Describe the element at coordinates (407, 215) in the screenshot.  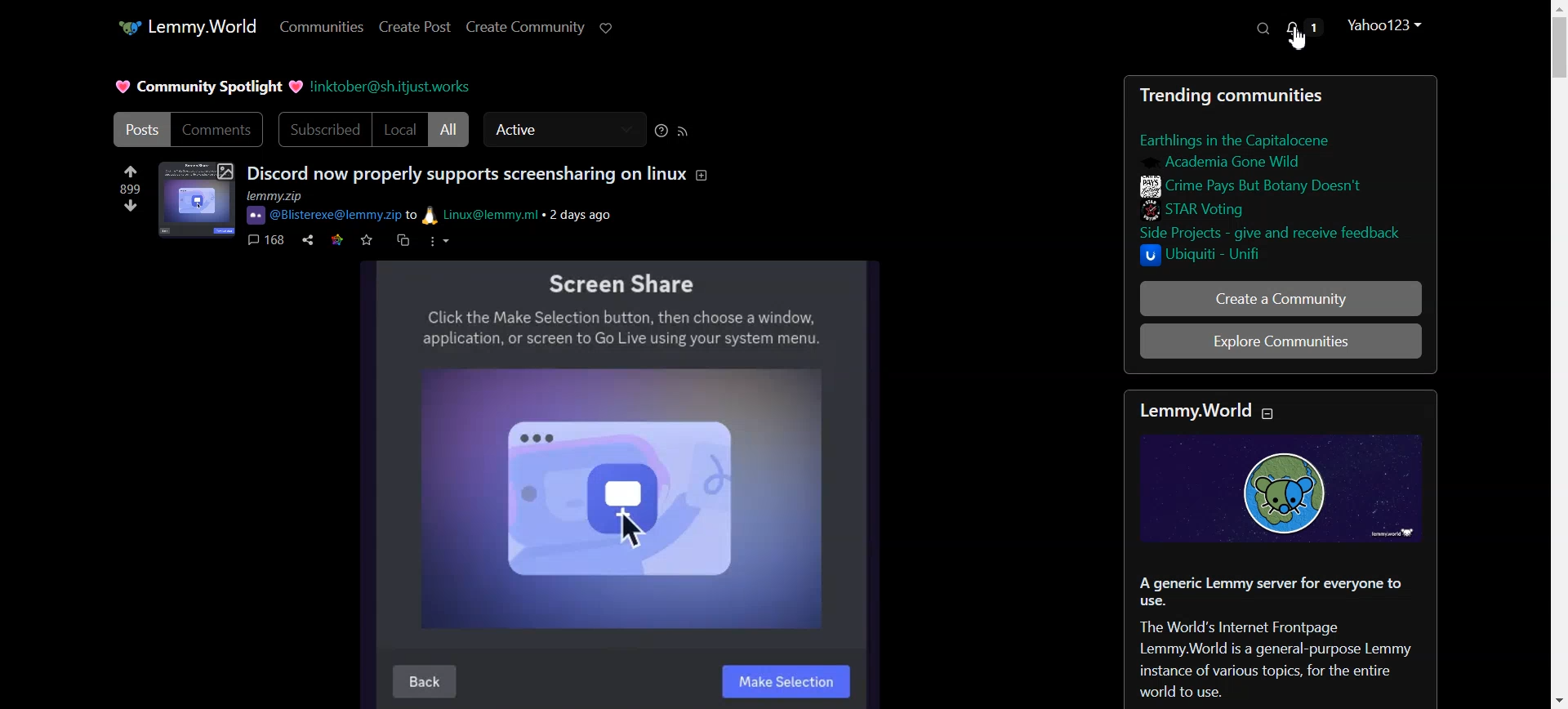
I see `@Blisterexe@lemmy.zip to Linux@lemmy.ml ` at that location.